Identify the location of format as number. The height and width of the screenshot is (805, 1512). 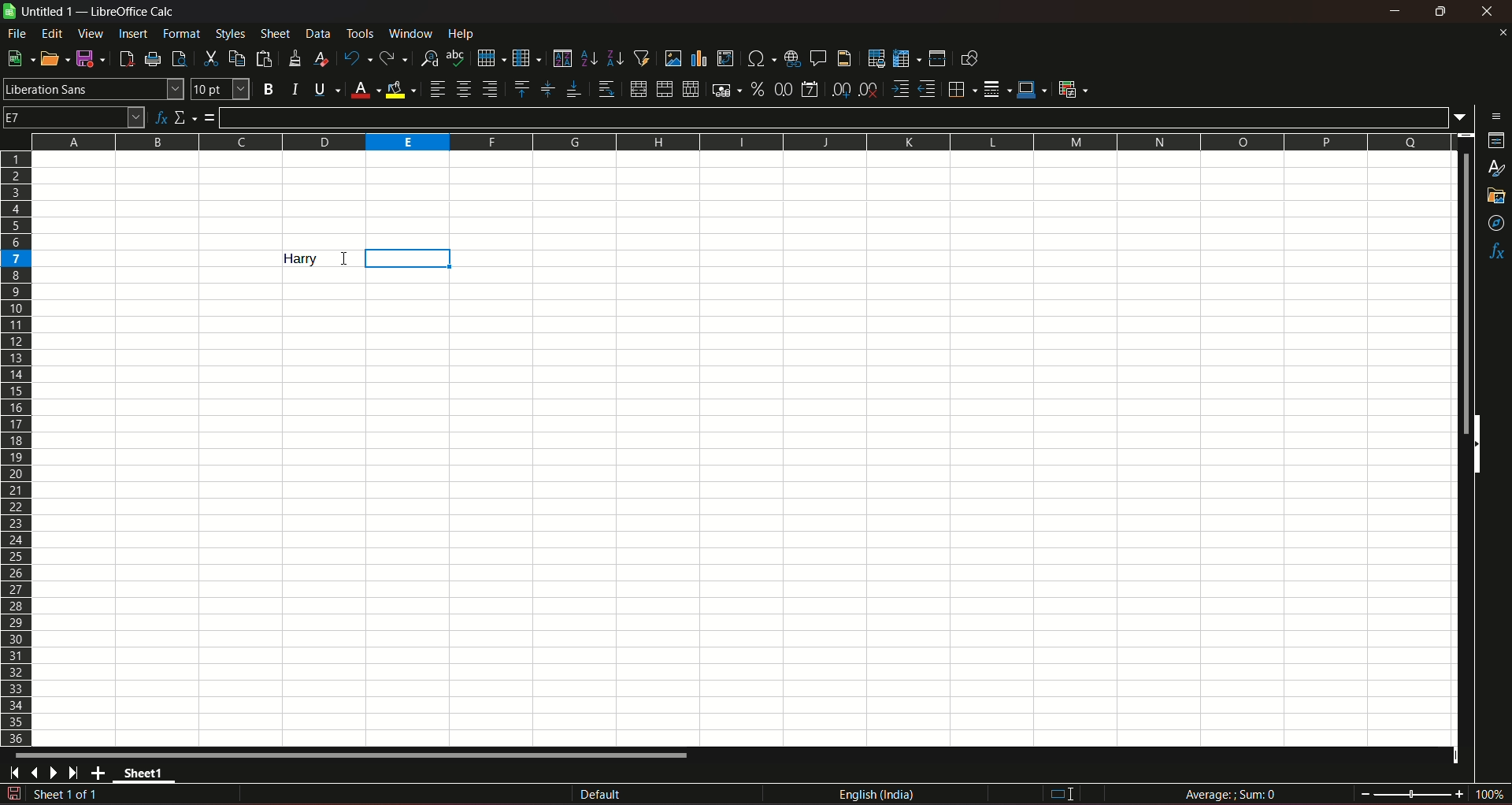
(783, 88).